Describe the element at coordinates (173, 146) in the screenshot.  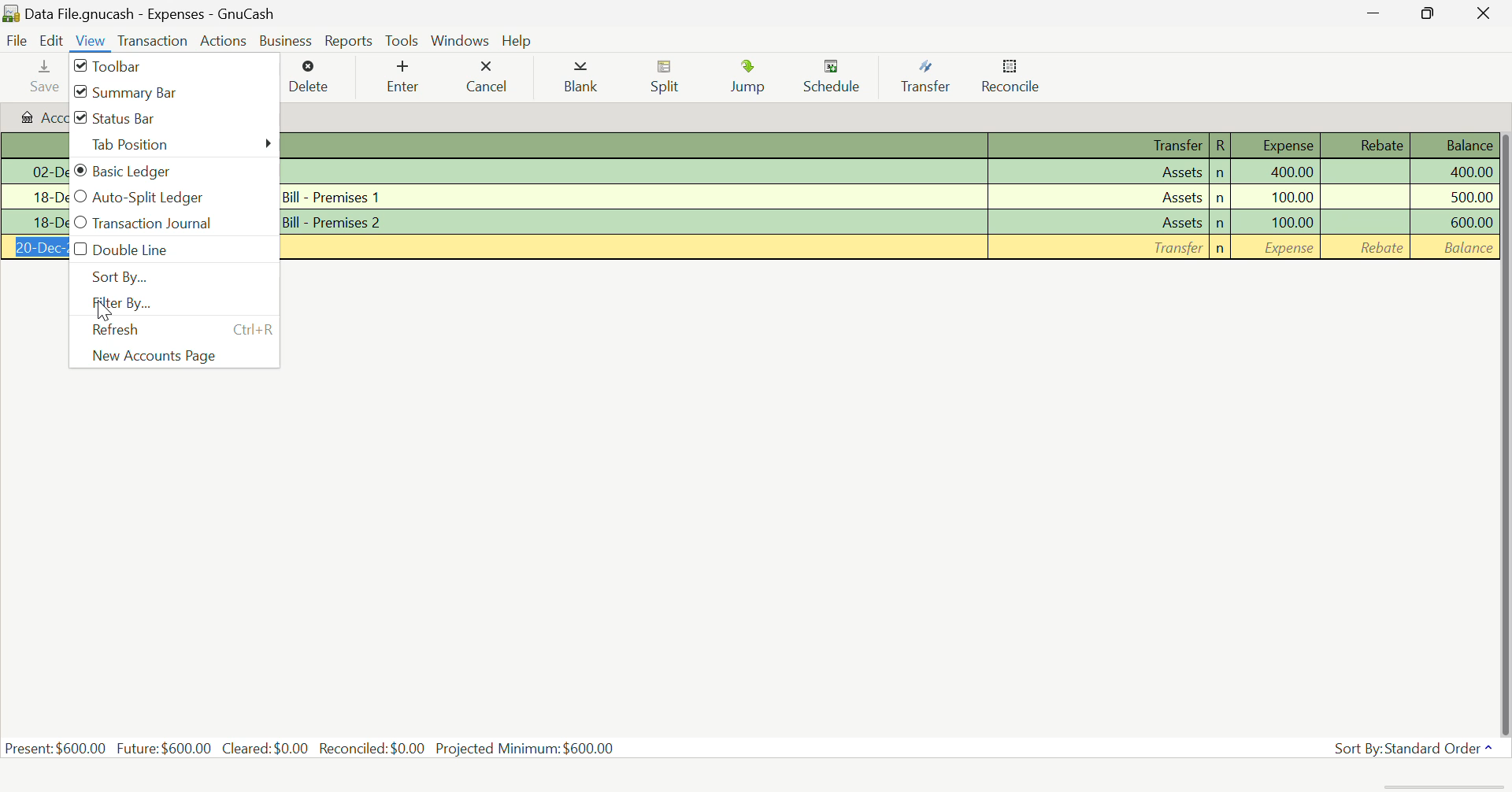
I see `Tab Position` at that location.